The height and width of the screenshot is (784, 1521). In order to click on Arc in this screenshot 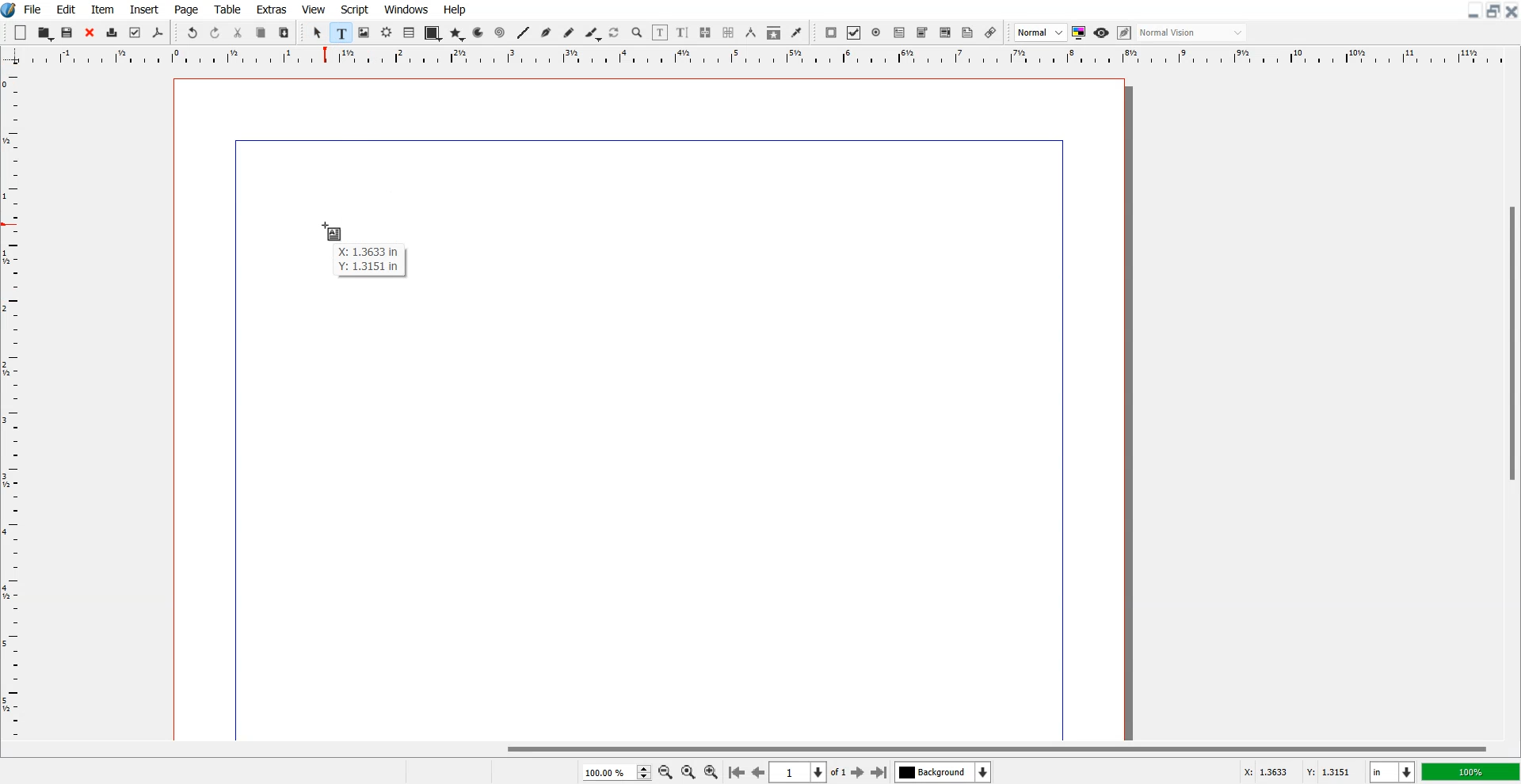, I will do `click(479, 32)`.